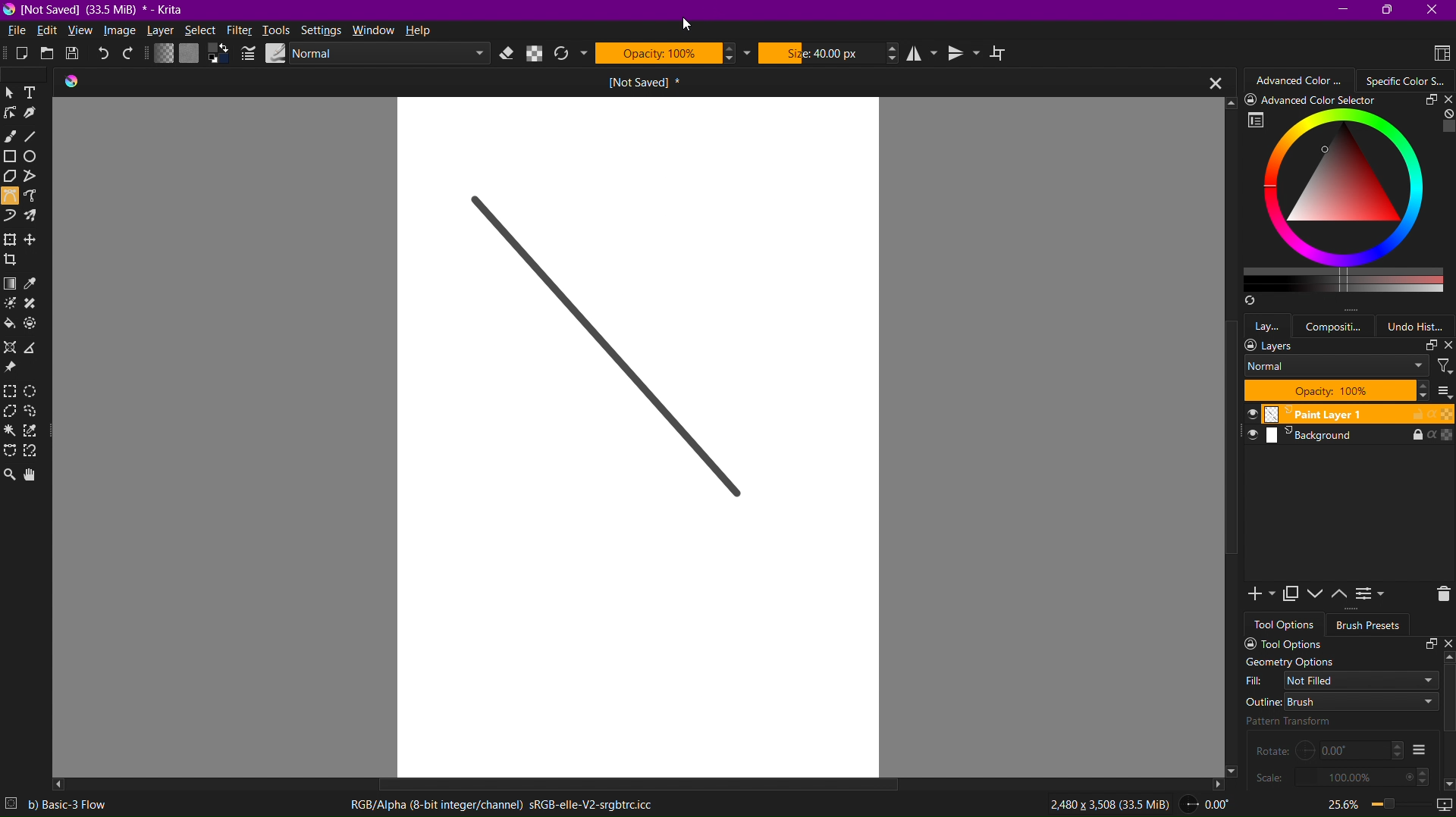 The image size is (1456, 817). Describe the element at coordinates (1338, 325) in the screenshot. I see `Composition` at that location.